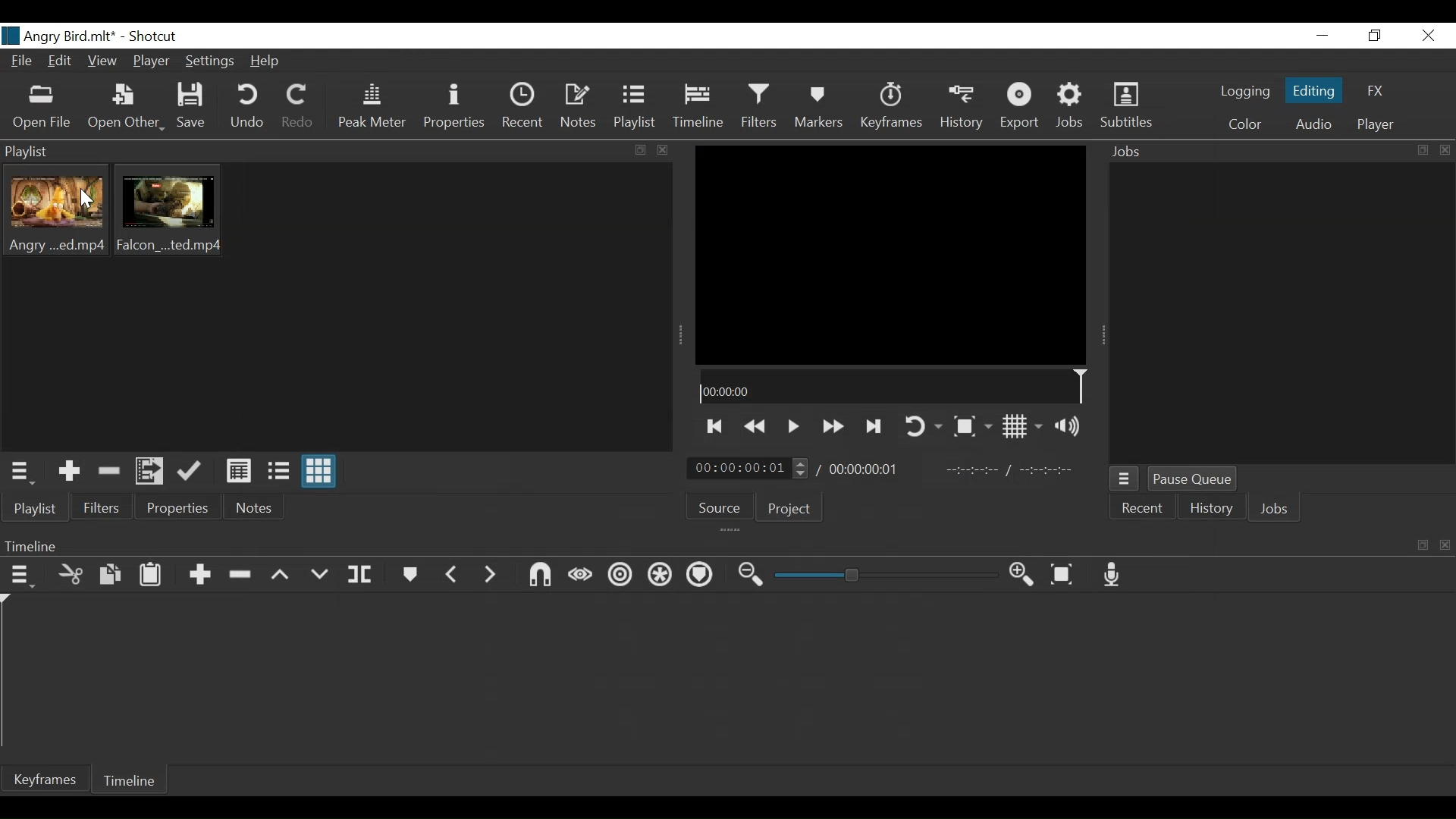 This screenshot has height=819, width=1456. What do you see at coordinates (758, 425) in the screenshot?
I see `Play backward Quickly` at bounding box center [758, 425].